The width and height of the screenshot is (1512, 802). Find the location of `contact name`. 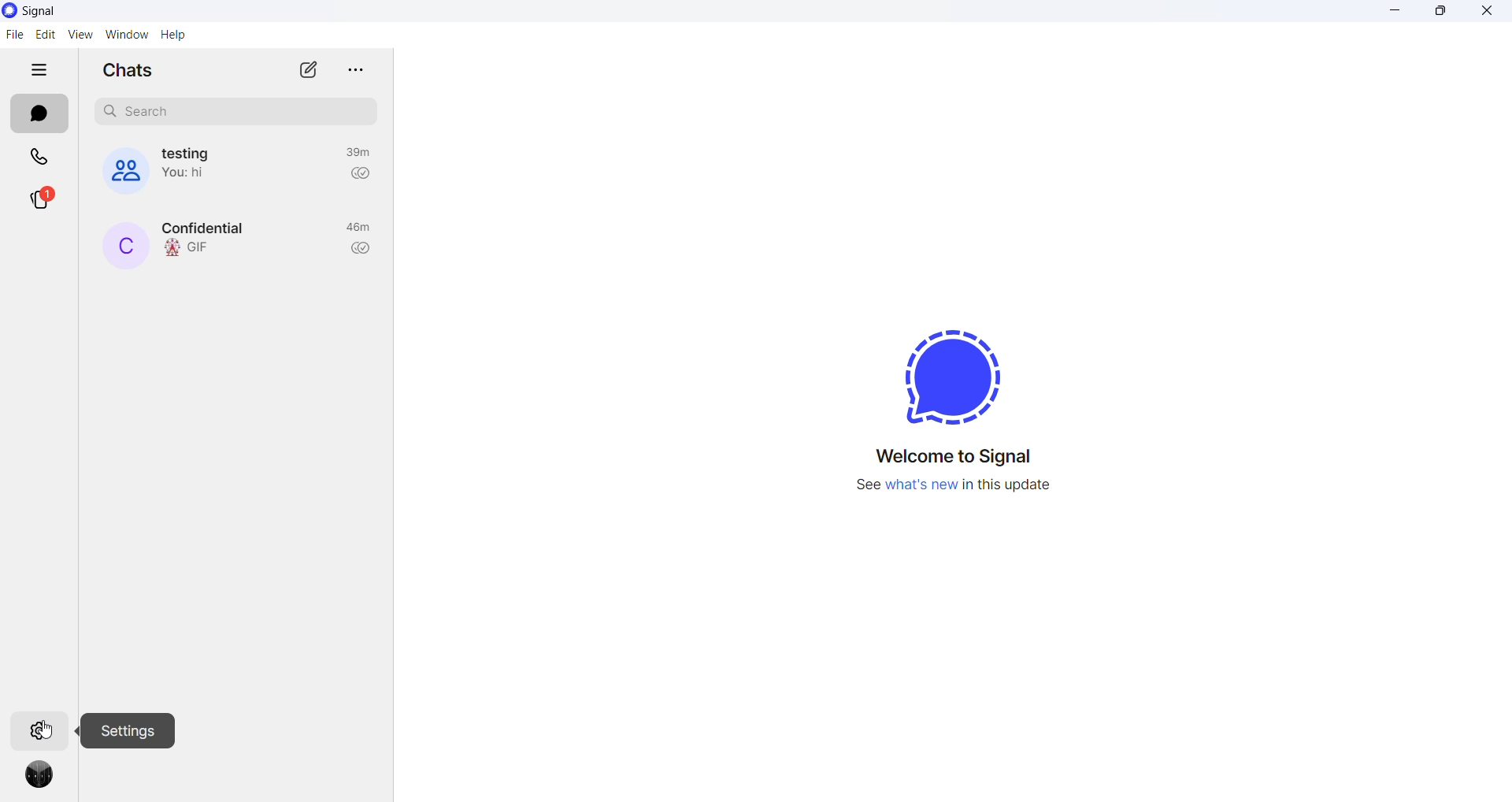

contact name is located at coordinates (210, 227).